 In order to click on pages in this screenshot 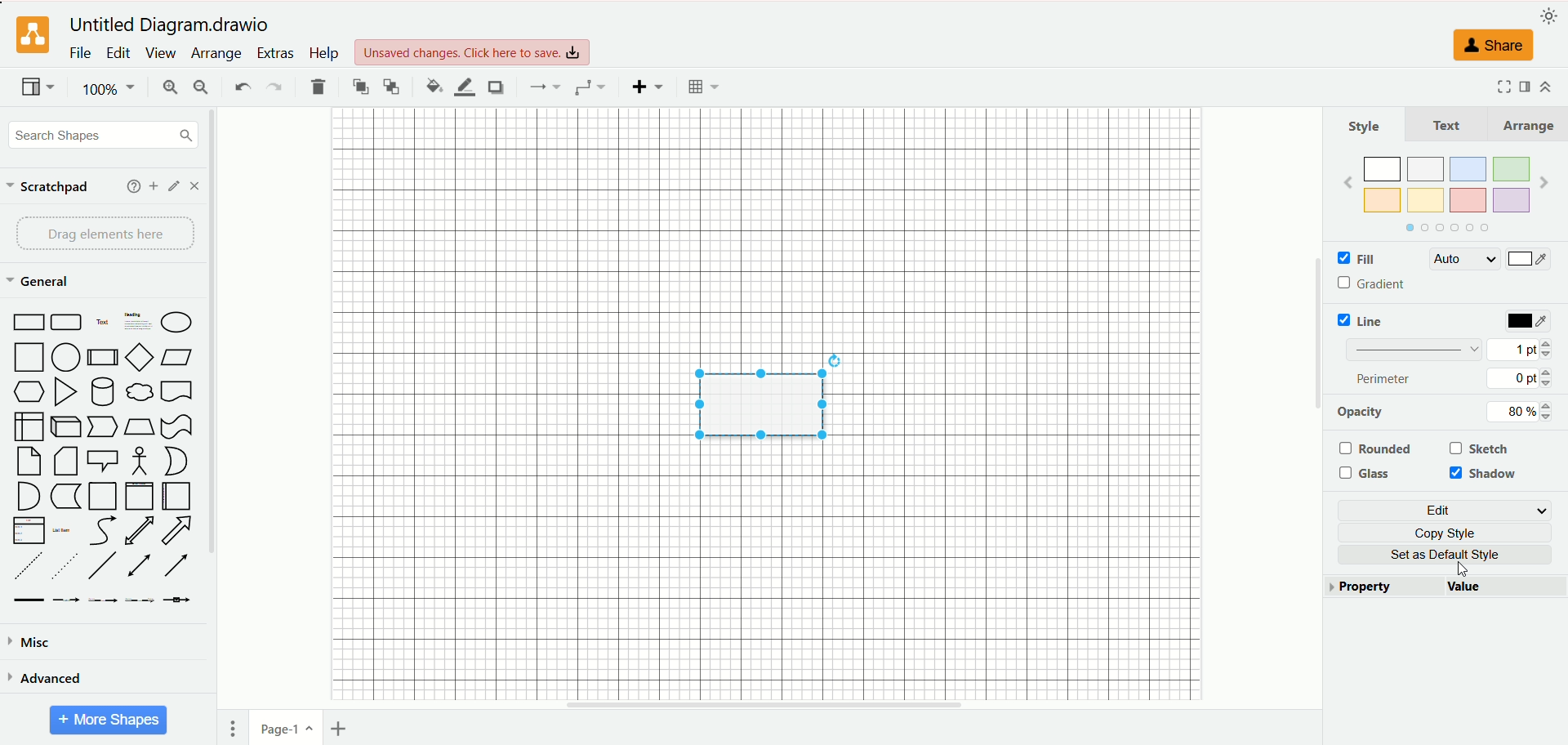, I will do `click(233, 729)`.